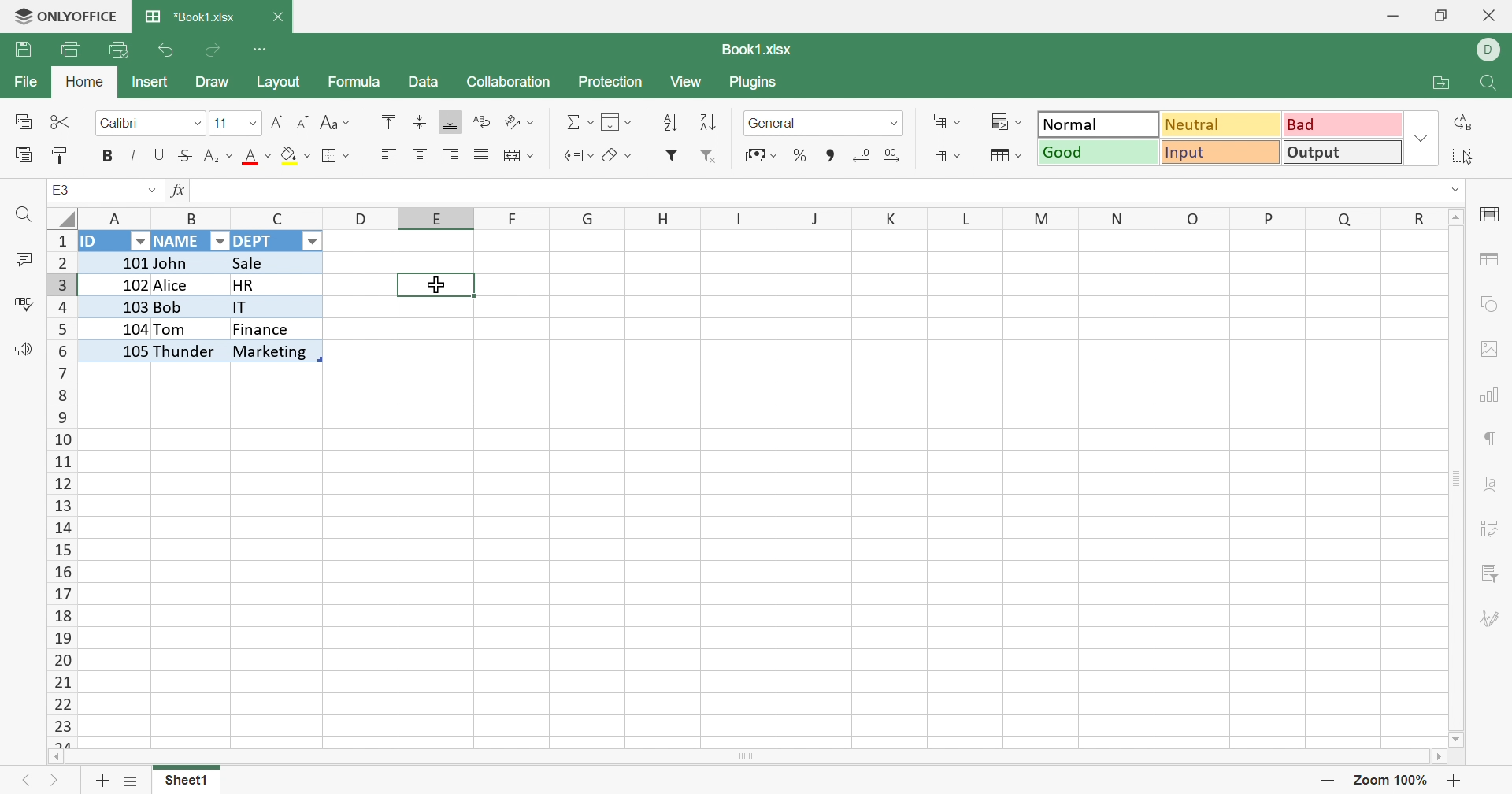 Image resolution: width=1512 pixels, height=794 pixels. I want to click on image settings, so click(1490, 349).